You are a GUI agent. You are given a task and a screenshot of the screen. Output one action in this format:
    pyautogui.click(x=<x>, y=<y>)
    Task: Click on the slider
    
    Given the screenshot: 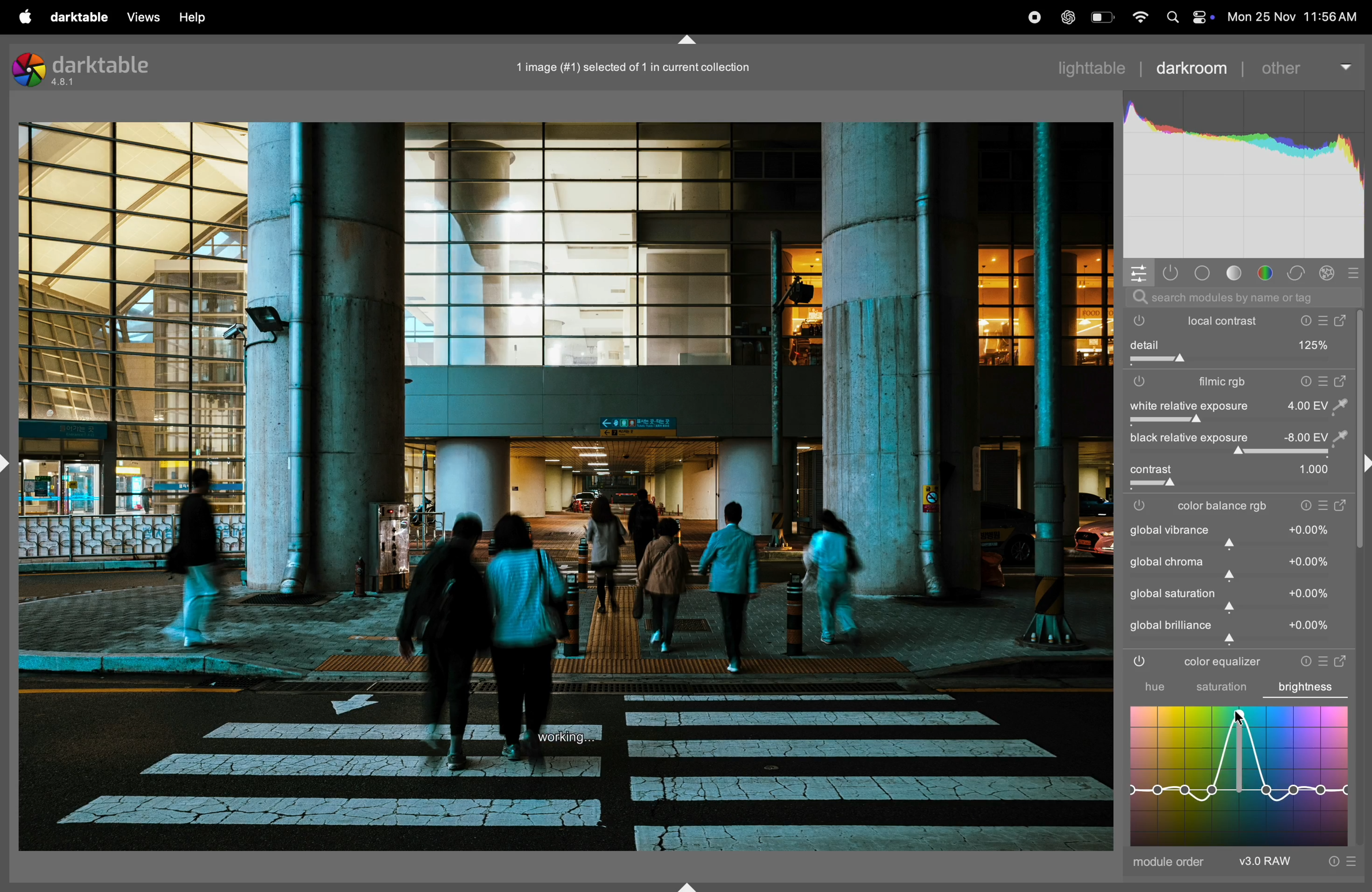 What is the action you would take?
    pyautogui.click(x=1243, y=485)
    